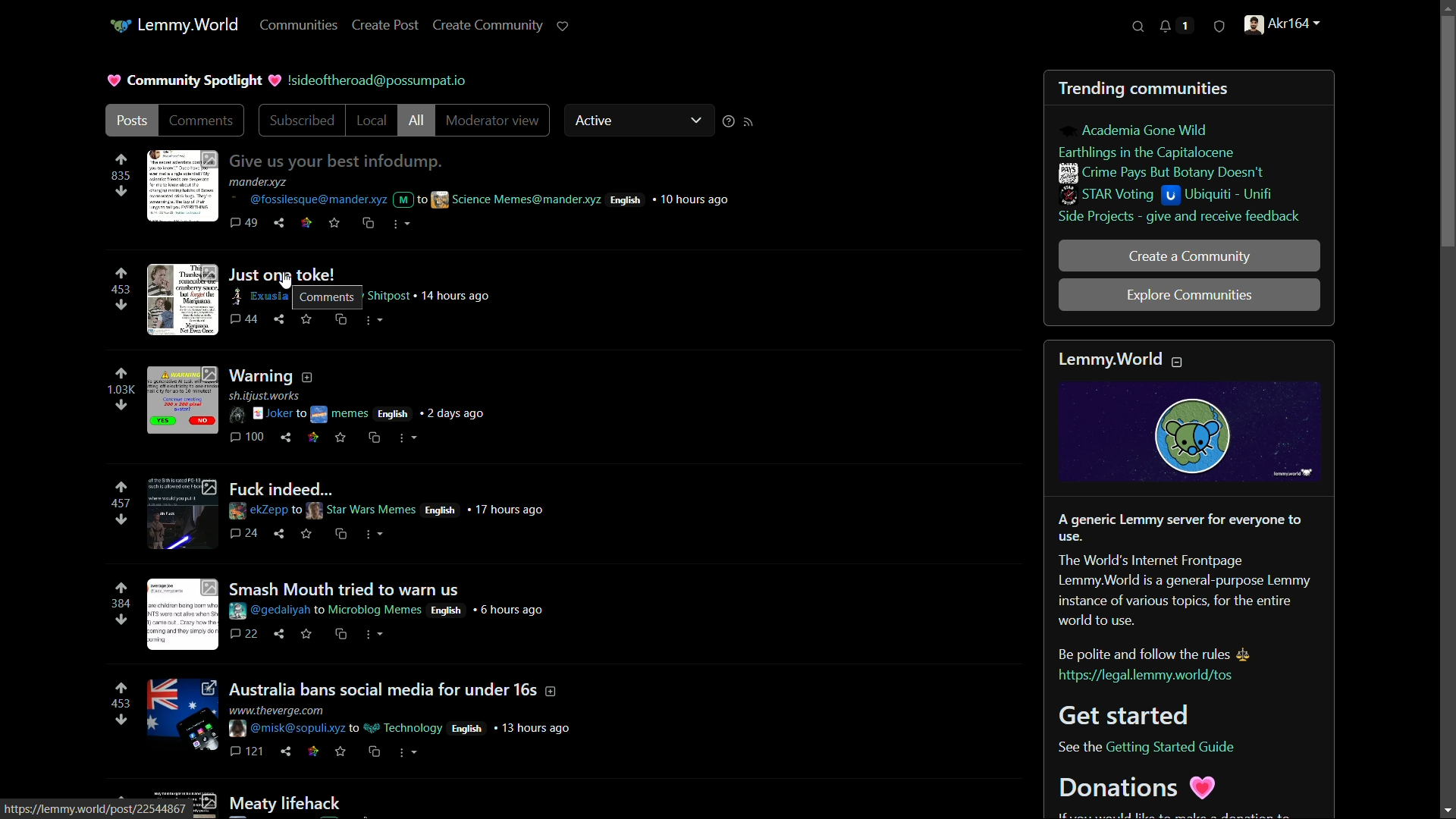  What do you see at coordinates (417, 121) in the screenshot?
I see `all` at bounding box center [417, 121].